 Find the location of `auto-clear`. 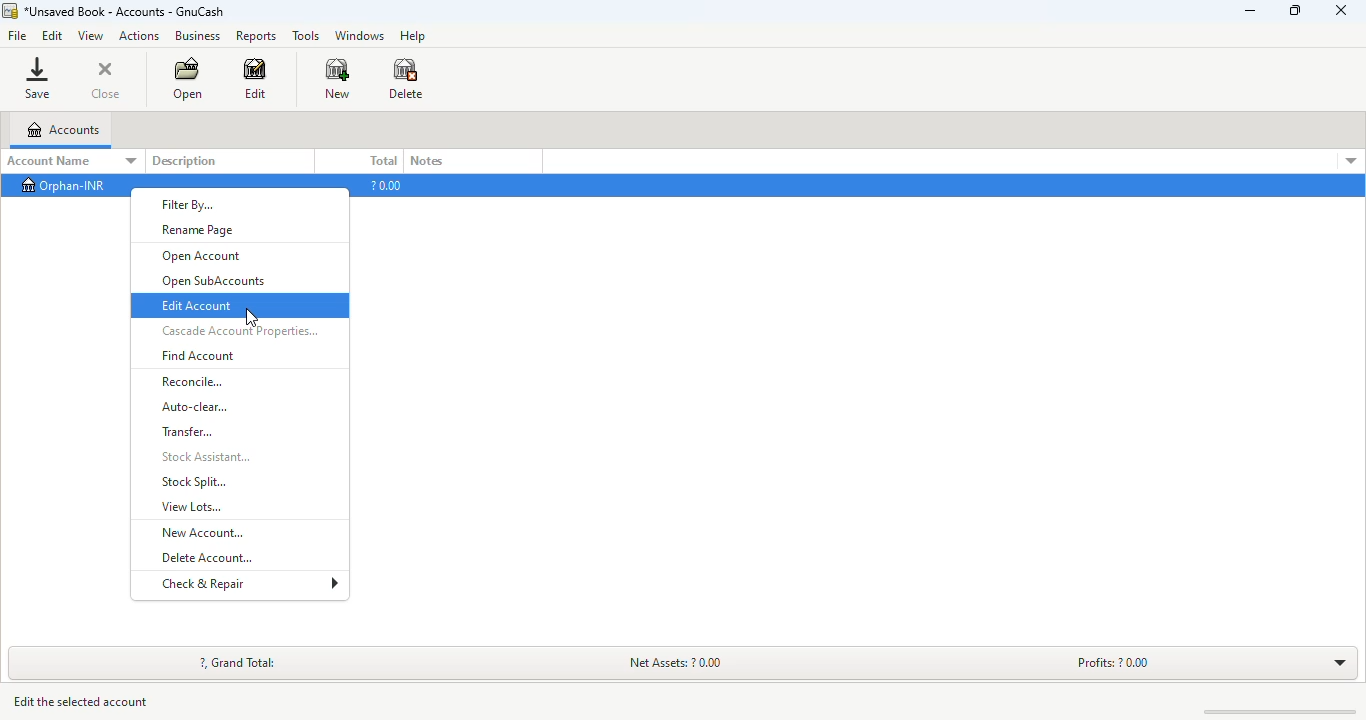

auto-clear is located at coordinates (194, 406).